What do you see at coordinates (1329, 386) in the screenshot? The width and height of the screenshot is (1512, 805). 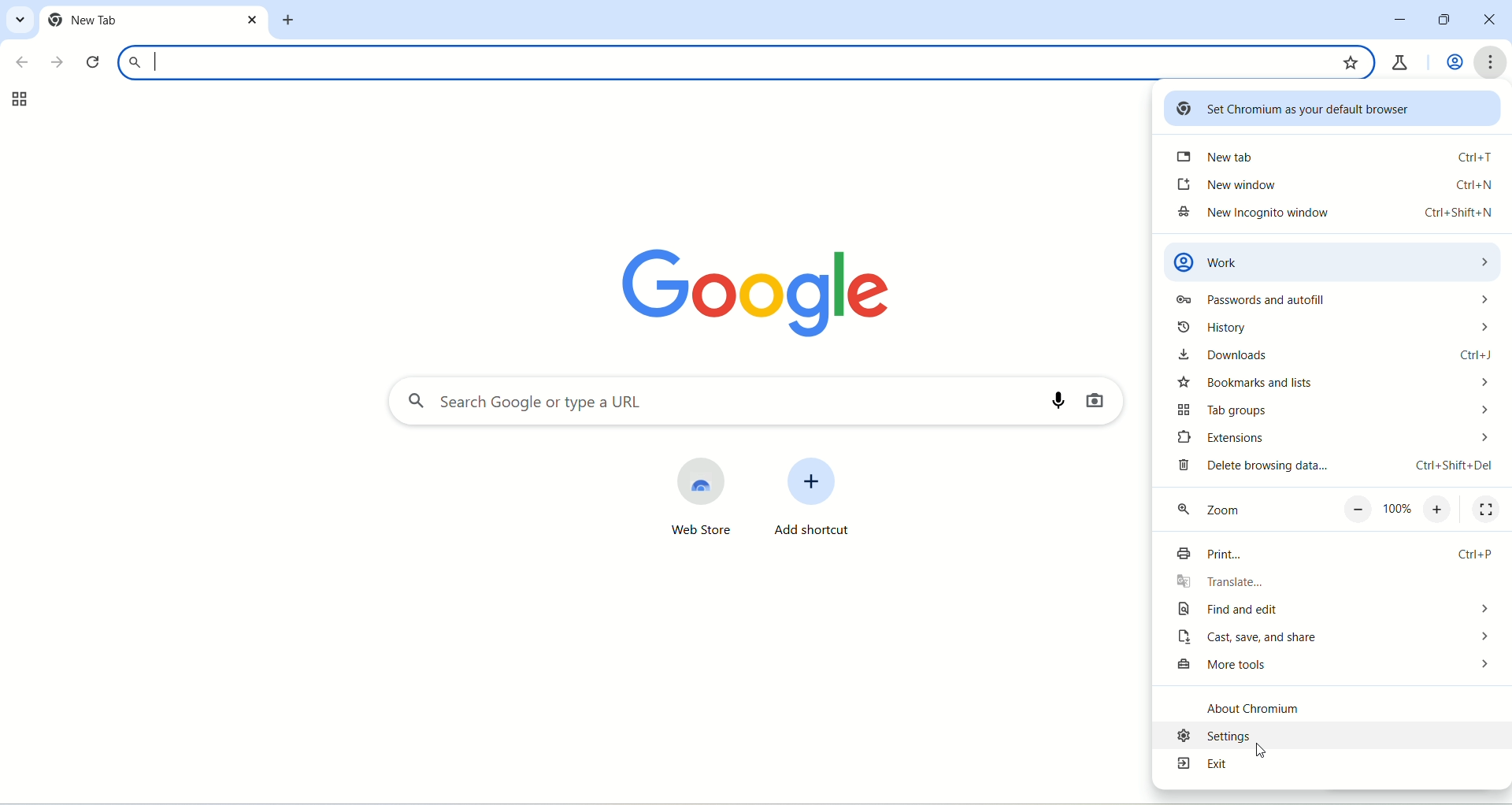 I see `bookmarks and lists` at bounding box center [1329, 386].